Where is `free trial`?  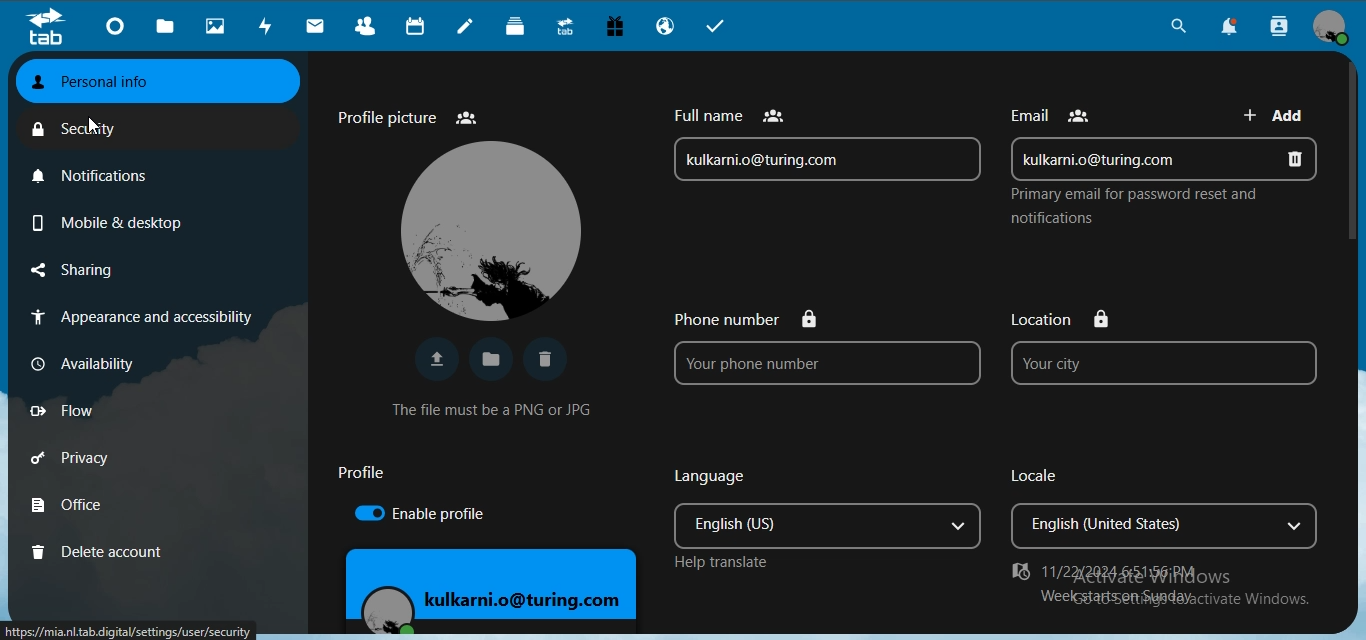
free trial is located at coordinates (617, 29).